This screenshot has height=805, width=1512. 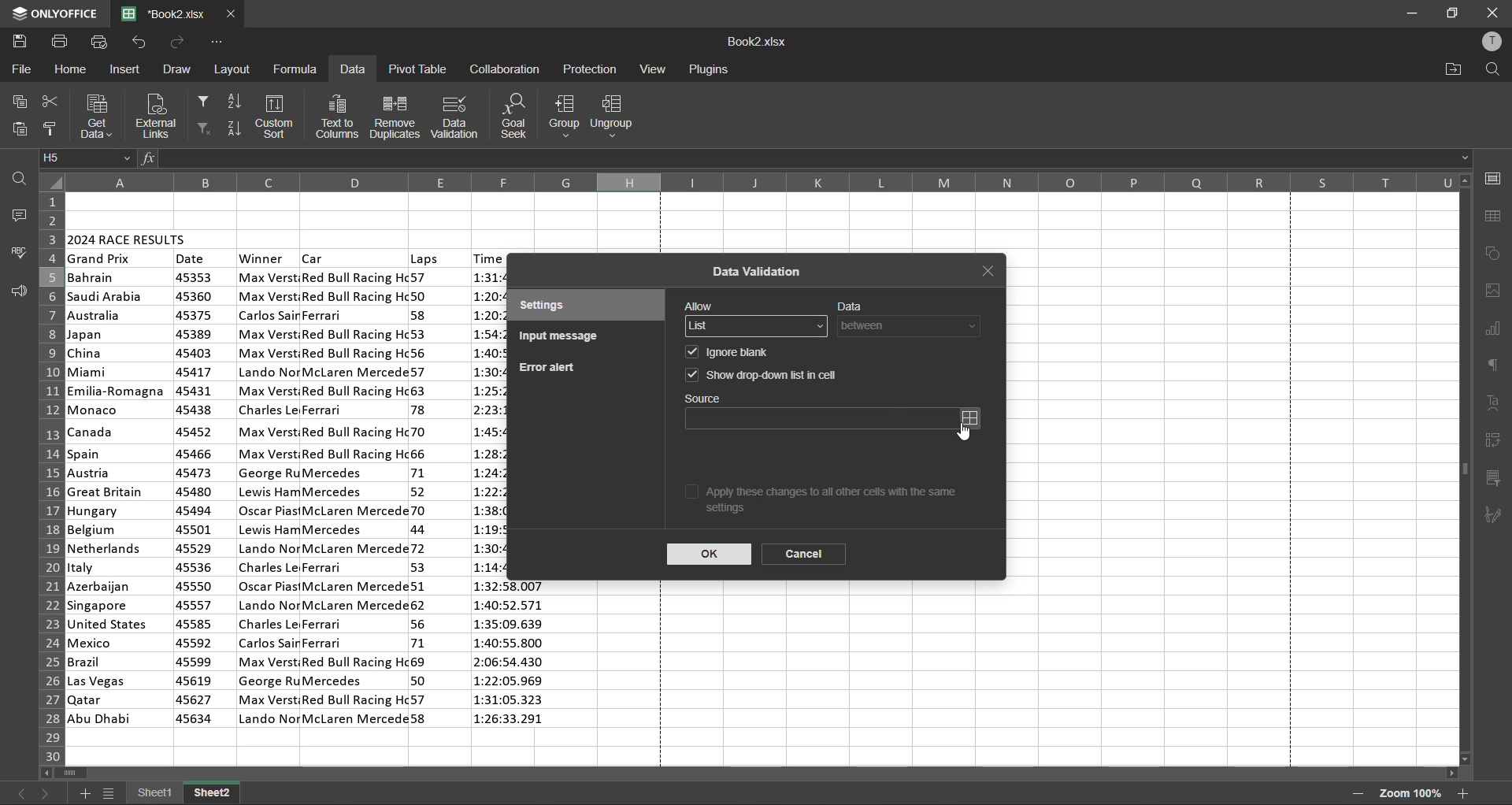 I want to click on 2024 race results, so click(x=129, y=237).